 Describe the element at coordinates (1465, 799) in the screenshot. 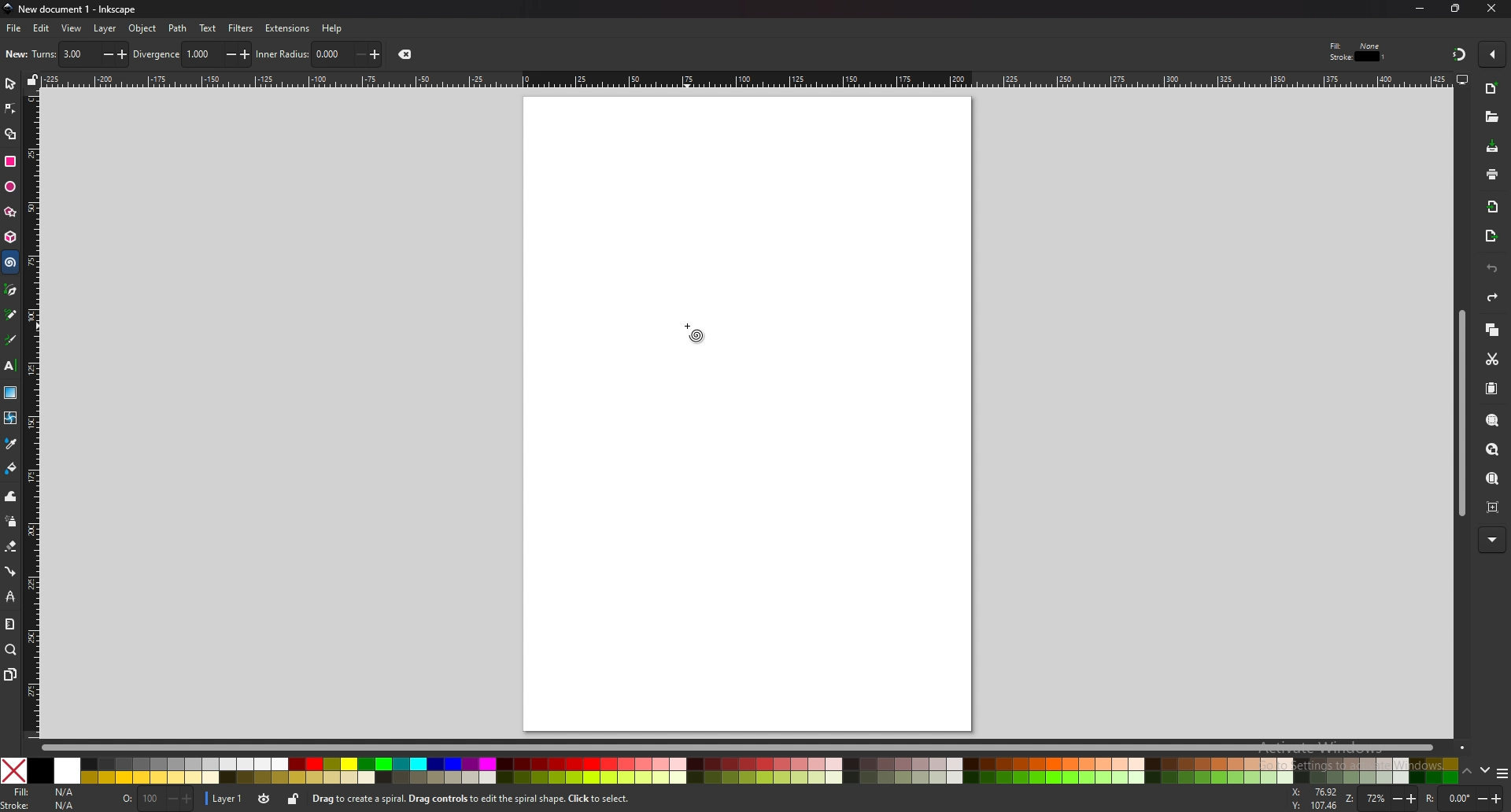

I see `R: 0.00` at that location.